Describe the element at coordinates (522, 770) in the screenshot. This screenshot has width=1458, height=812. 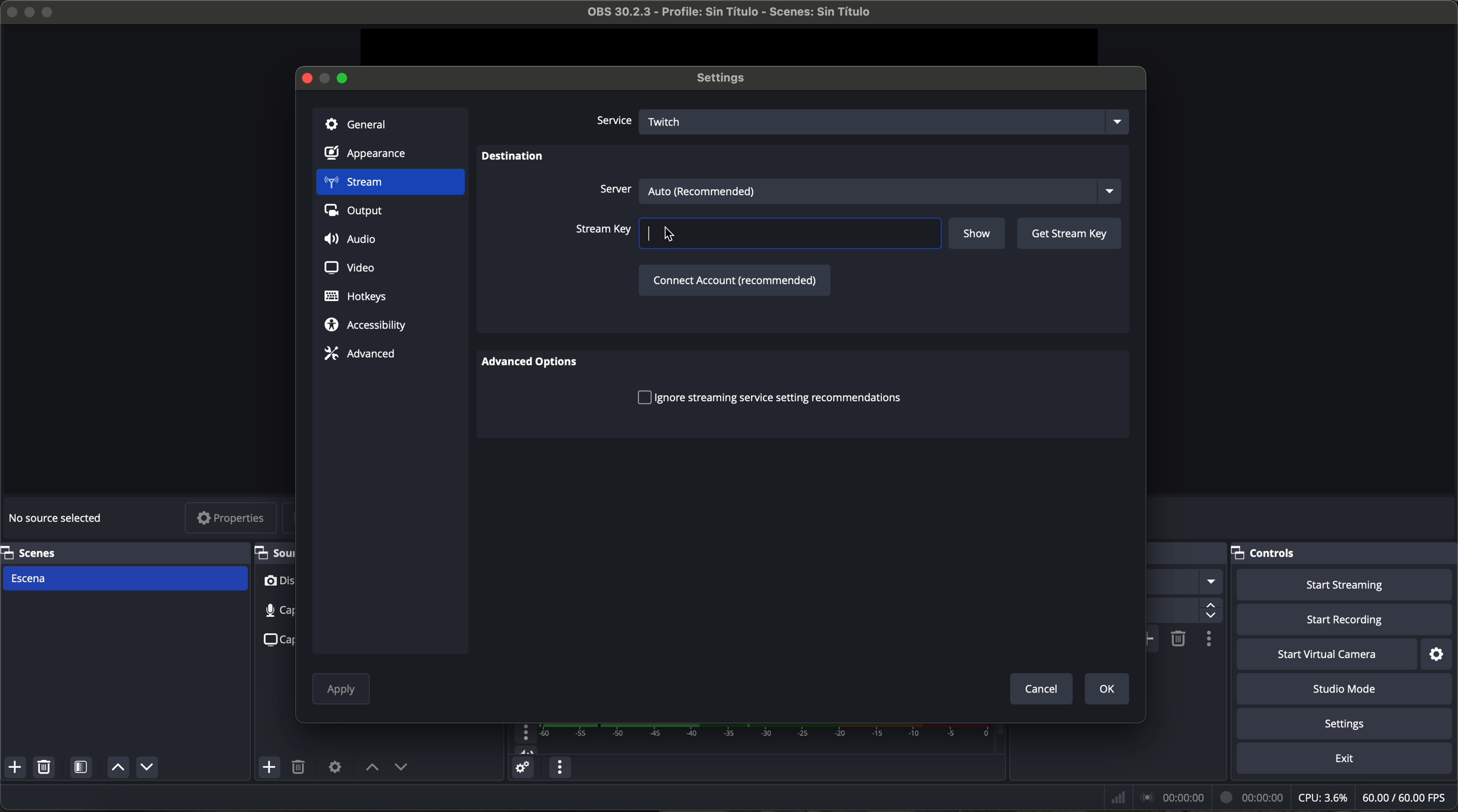
I see `advanced audio properties` at that location.